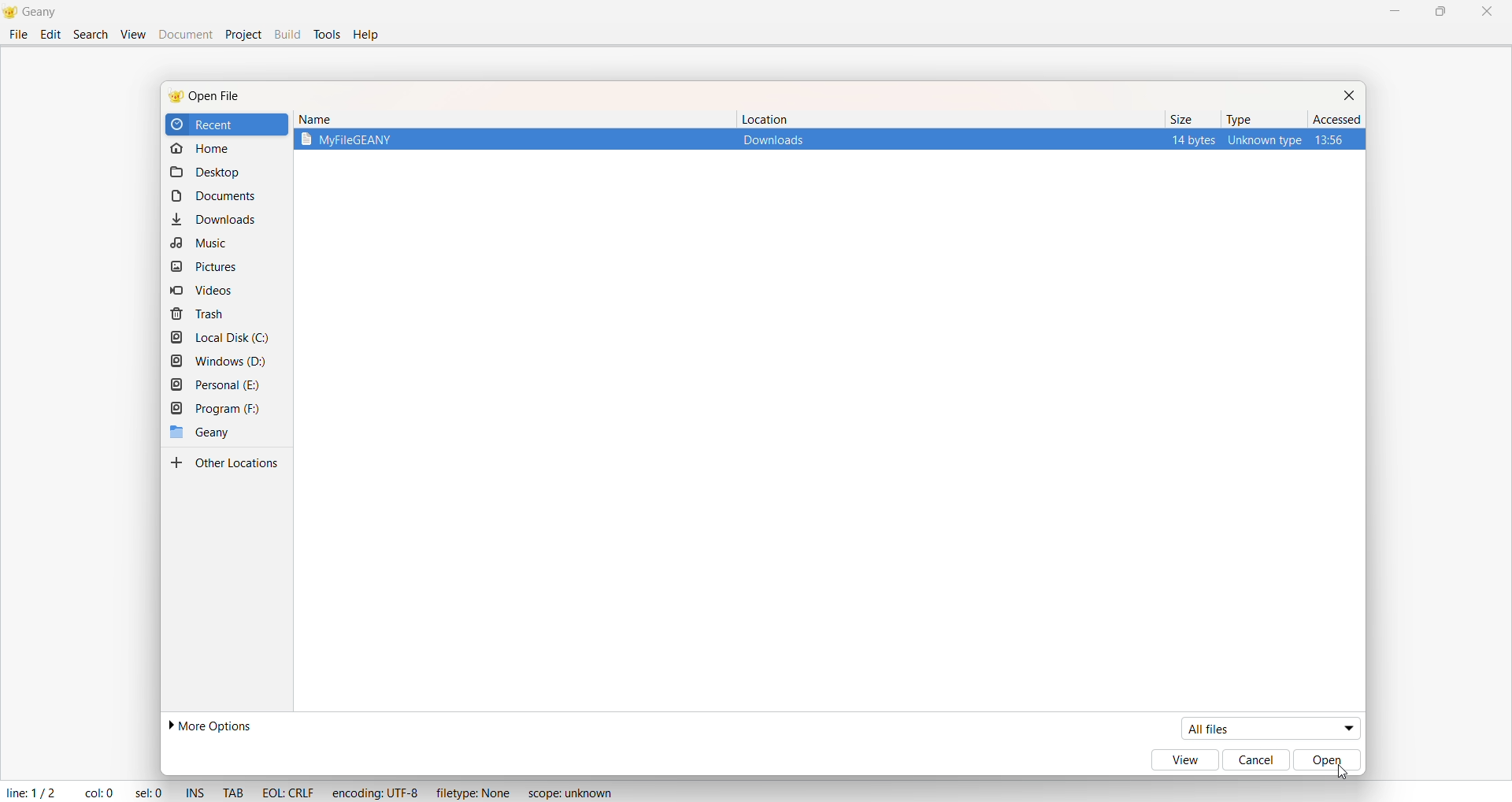 The height and width of the screenshot is (802, 1512). I want to click on Logo, so click(9, 13).